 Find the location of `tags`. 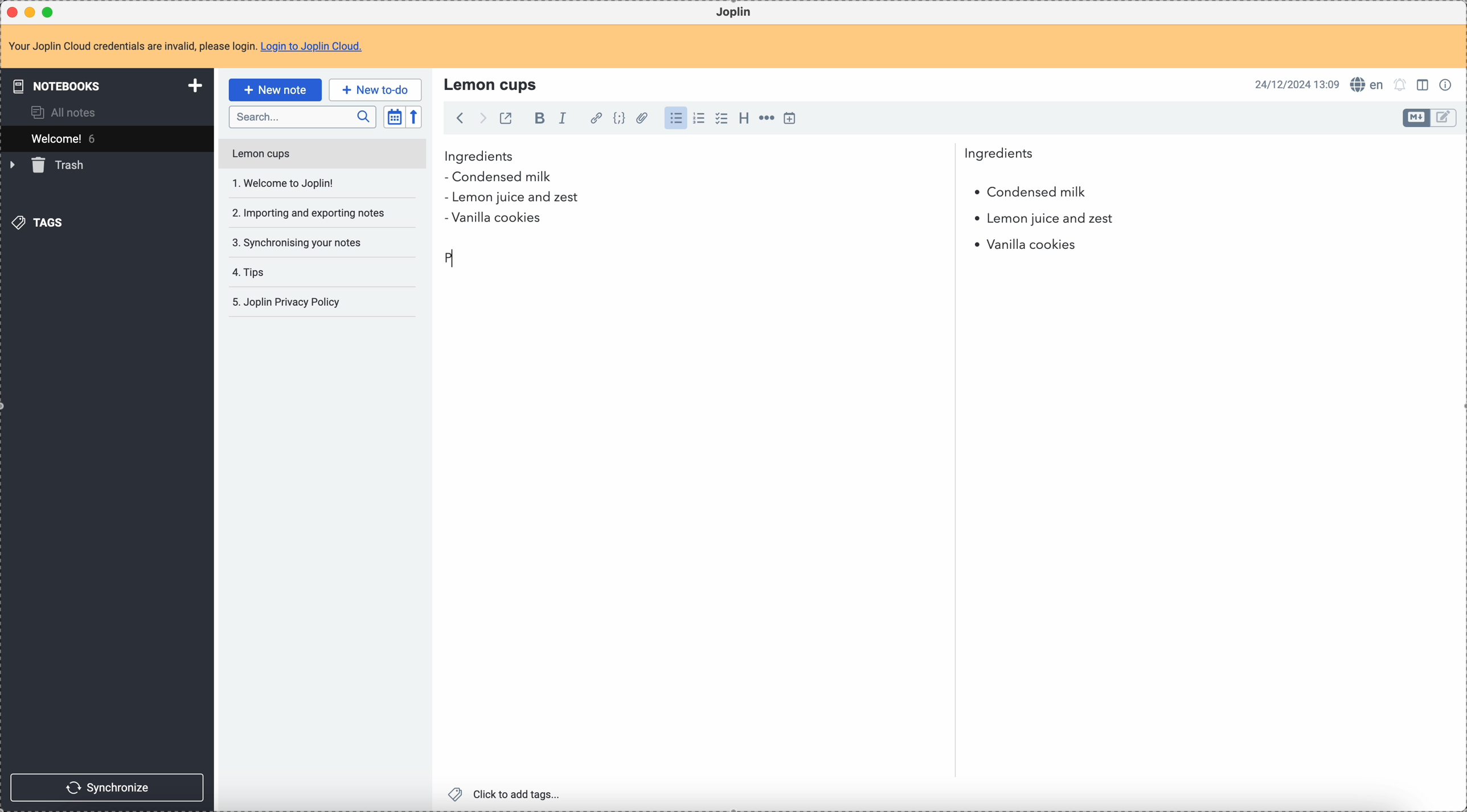

tags is located at coordinates (40, 222).